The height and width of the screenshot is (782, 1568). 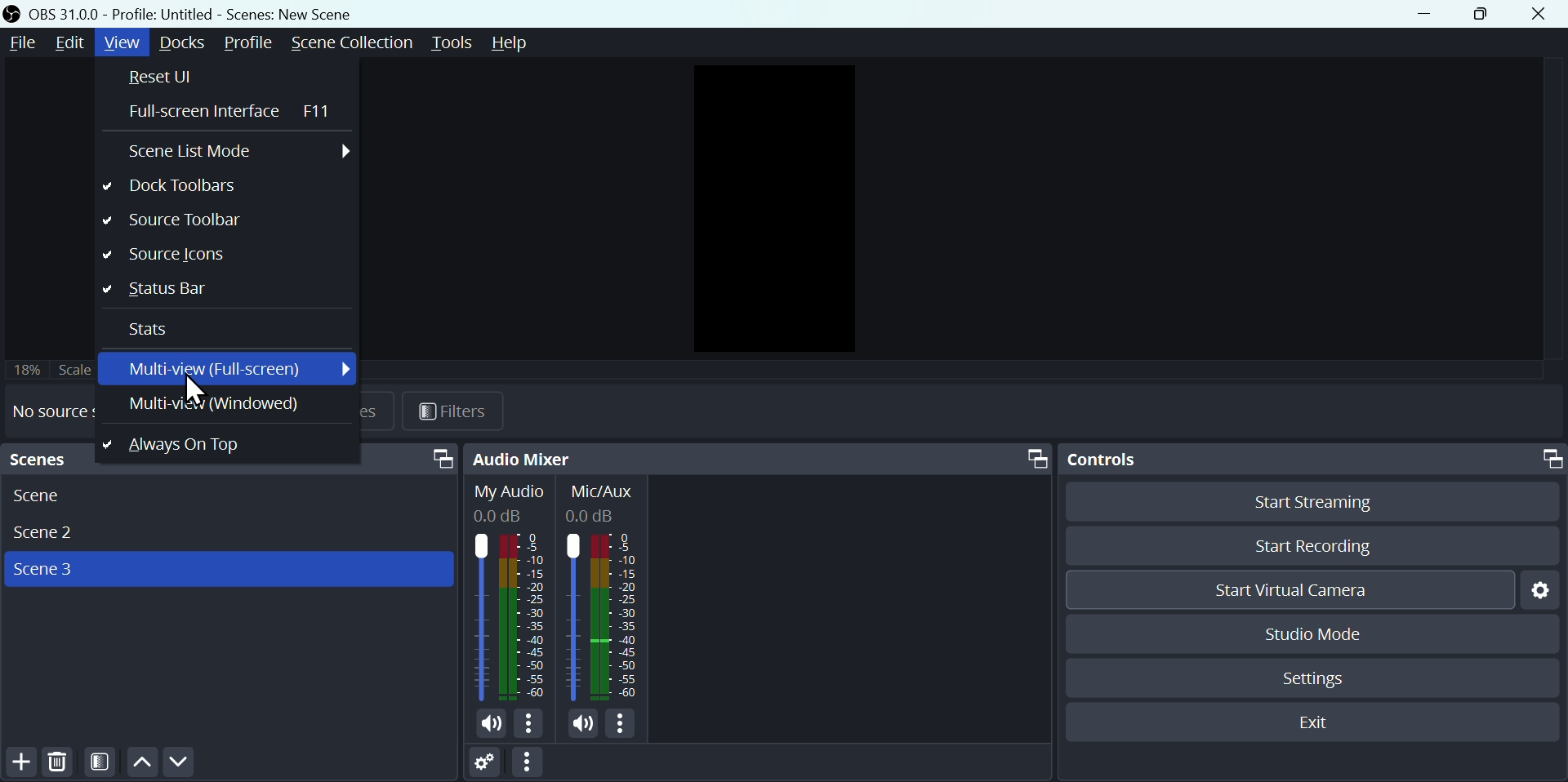 I want to click on Scenes Title, so click(x=287, y=14).